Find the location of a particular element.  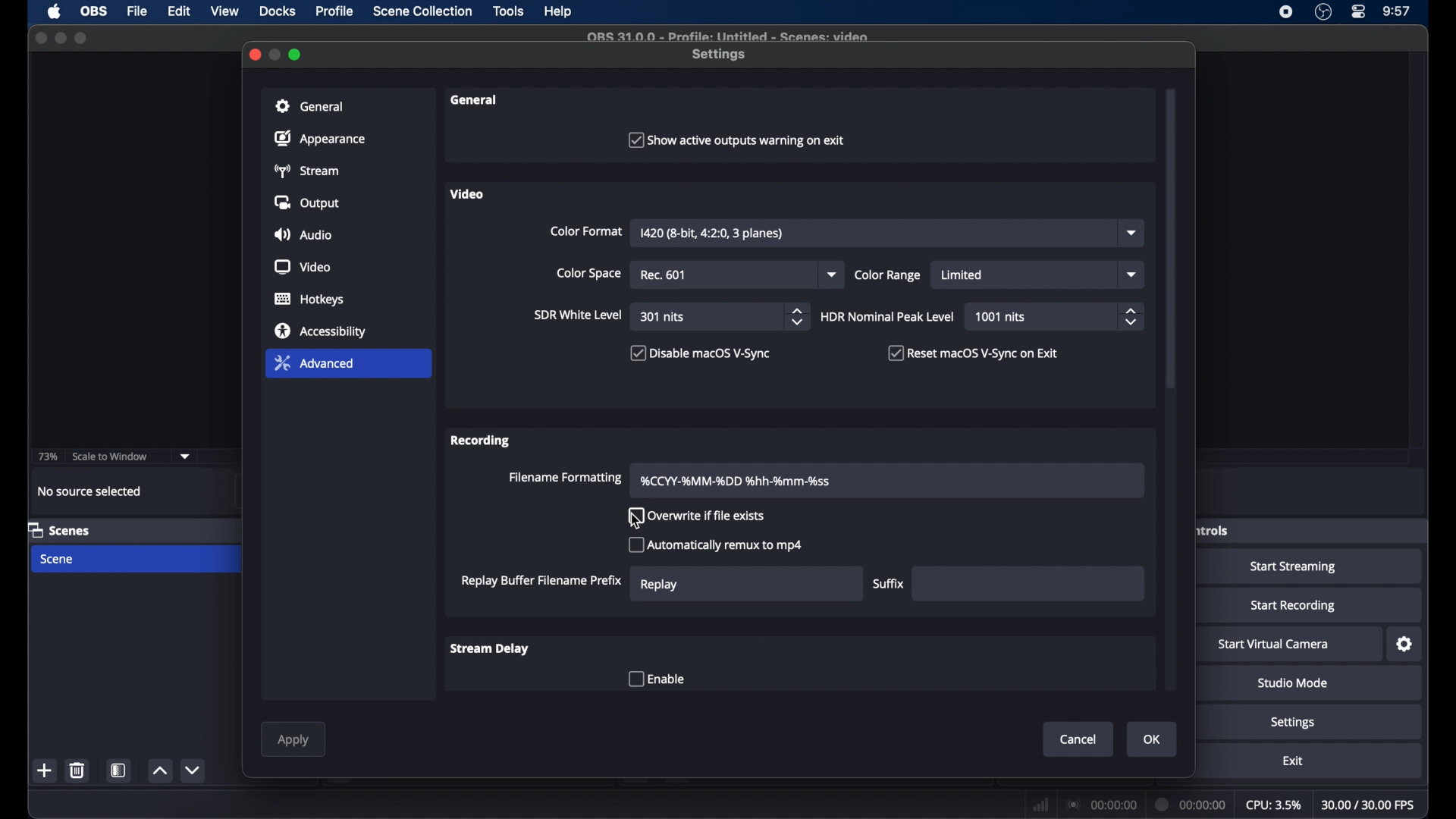

decrement is located at coordinates (194, 770).